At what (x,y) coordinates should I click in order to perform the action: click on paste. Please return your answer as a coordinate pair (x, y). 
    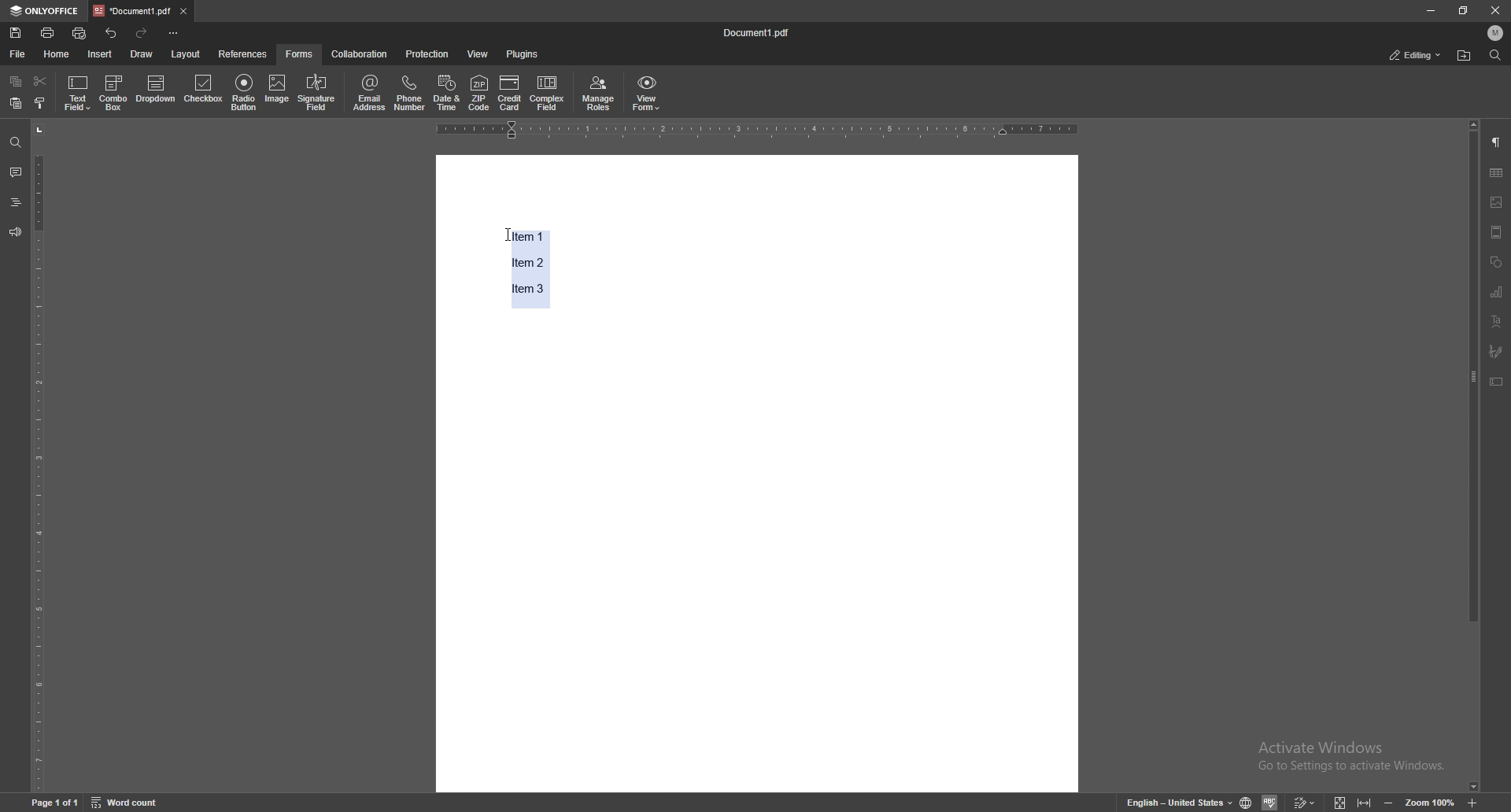
    Looking at the image, I should click on (15, 103).